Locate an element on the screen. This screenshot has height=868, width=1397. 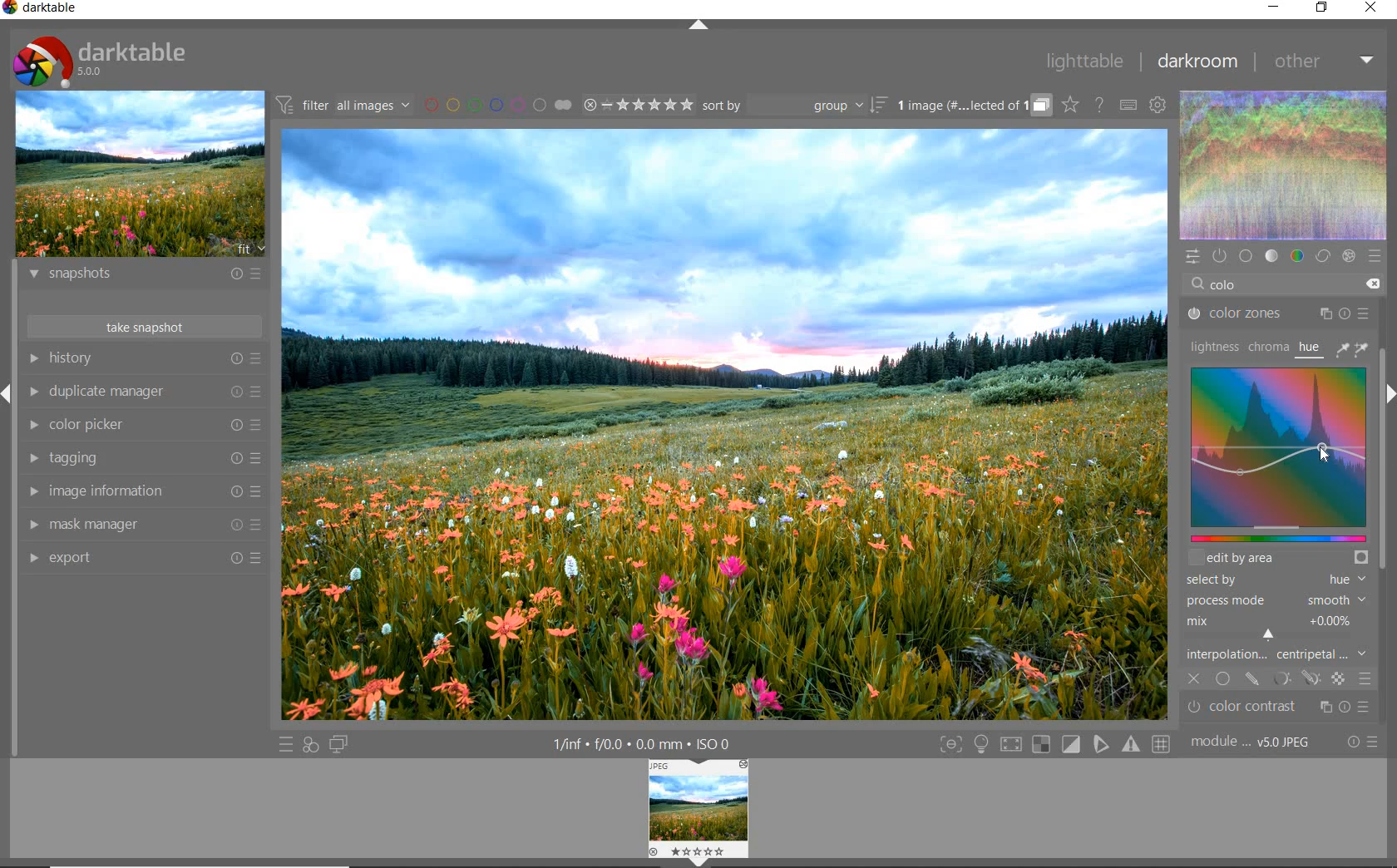
module..v50JPEG is located at coordinates (1255, 742).